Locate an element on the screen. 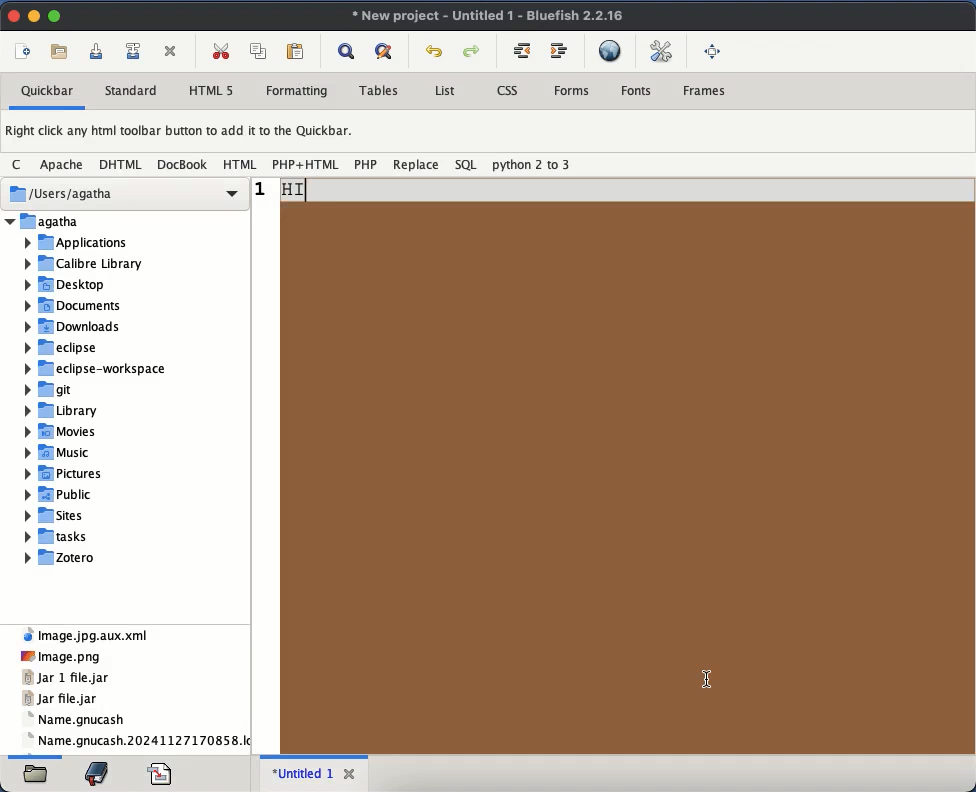  close is located at coordinates (171, 51).